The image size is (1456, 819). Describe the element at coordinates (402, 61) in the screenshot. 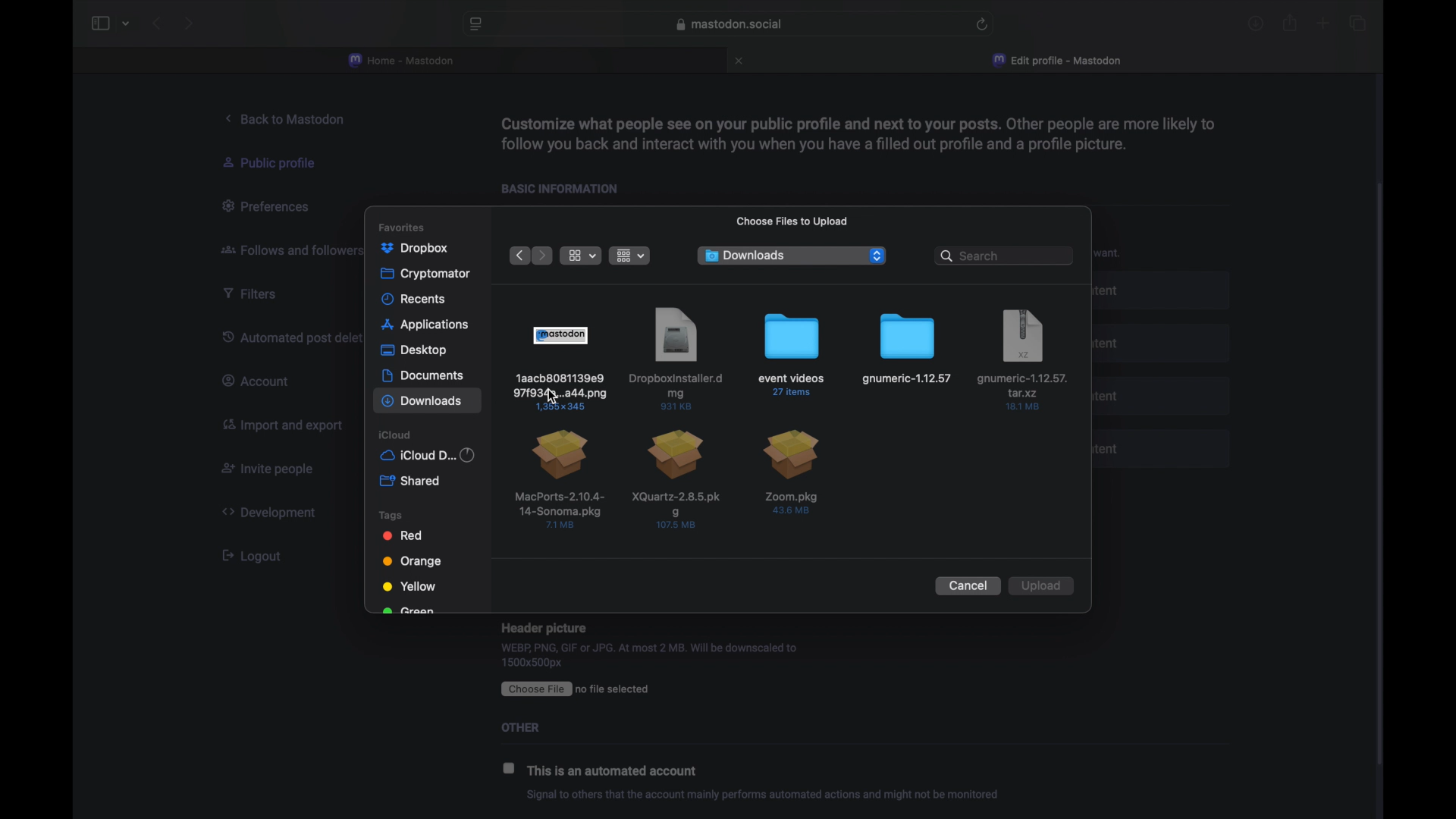

I see `home - mastodon` at that location.